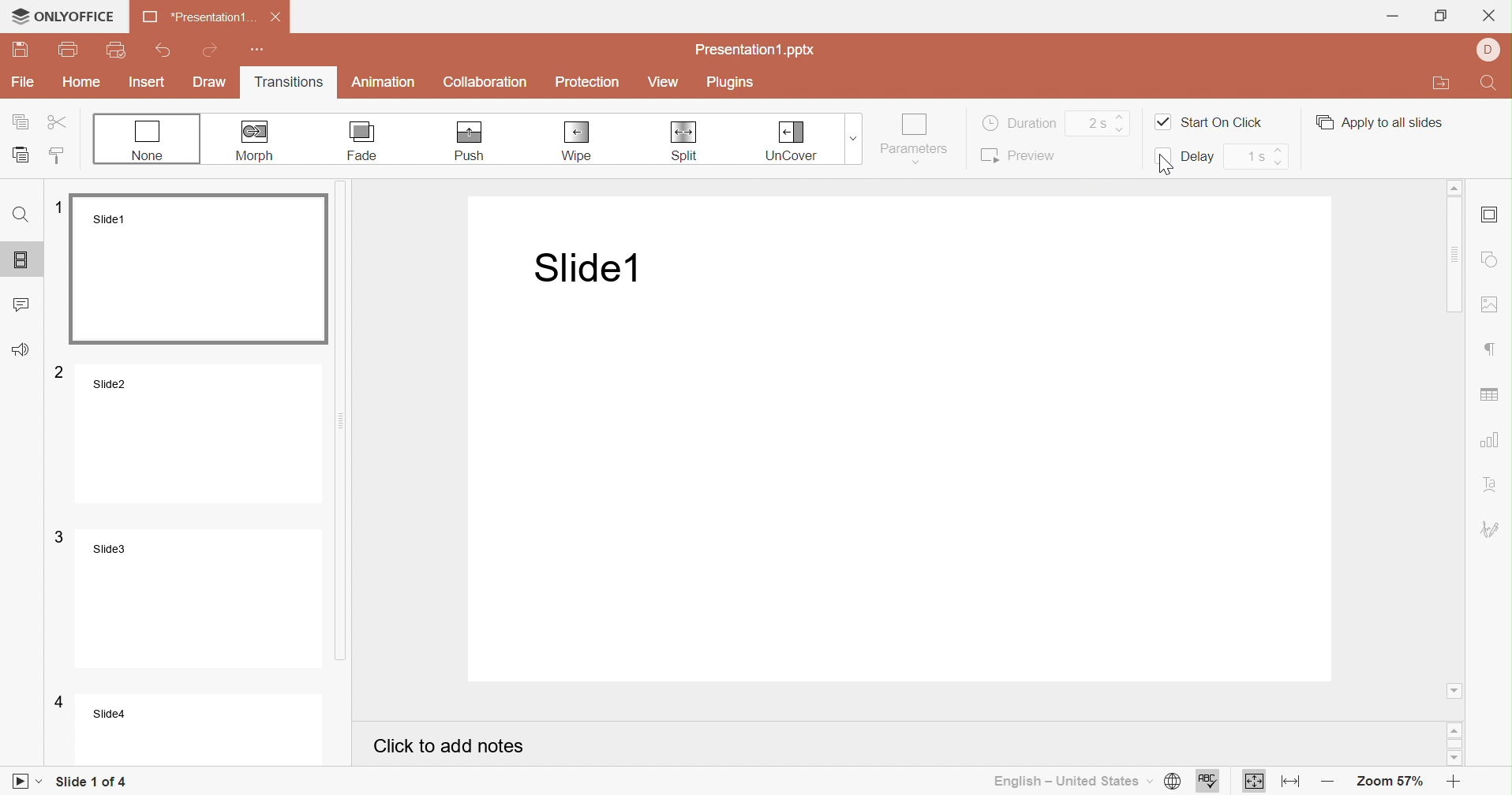 This screenshot has width=1512, height=795. I want to click on Insert chart, so click(1491, 440).